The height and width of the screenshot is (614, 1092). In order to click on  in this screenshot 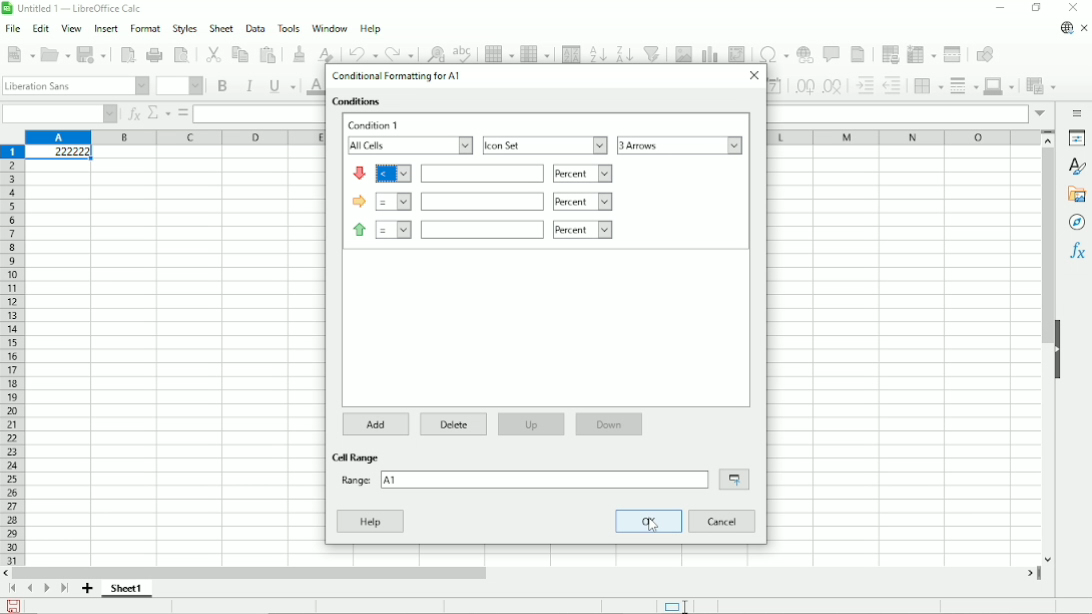, I will do `click(1073, 8)`.